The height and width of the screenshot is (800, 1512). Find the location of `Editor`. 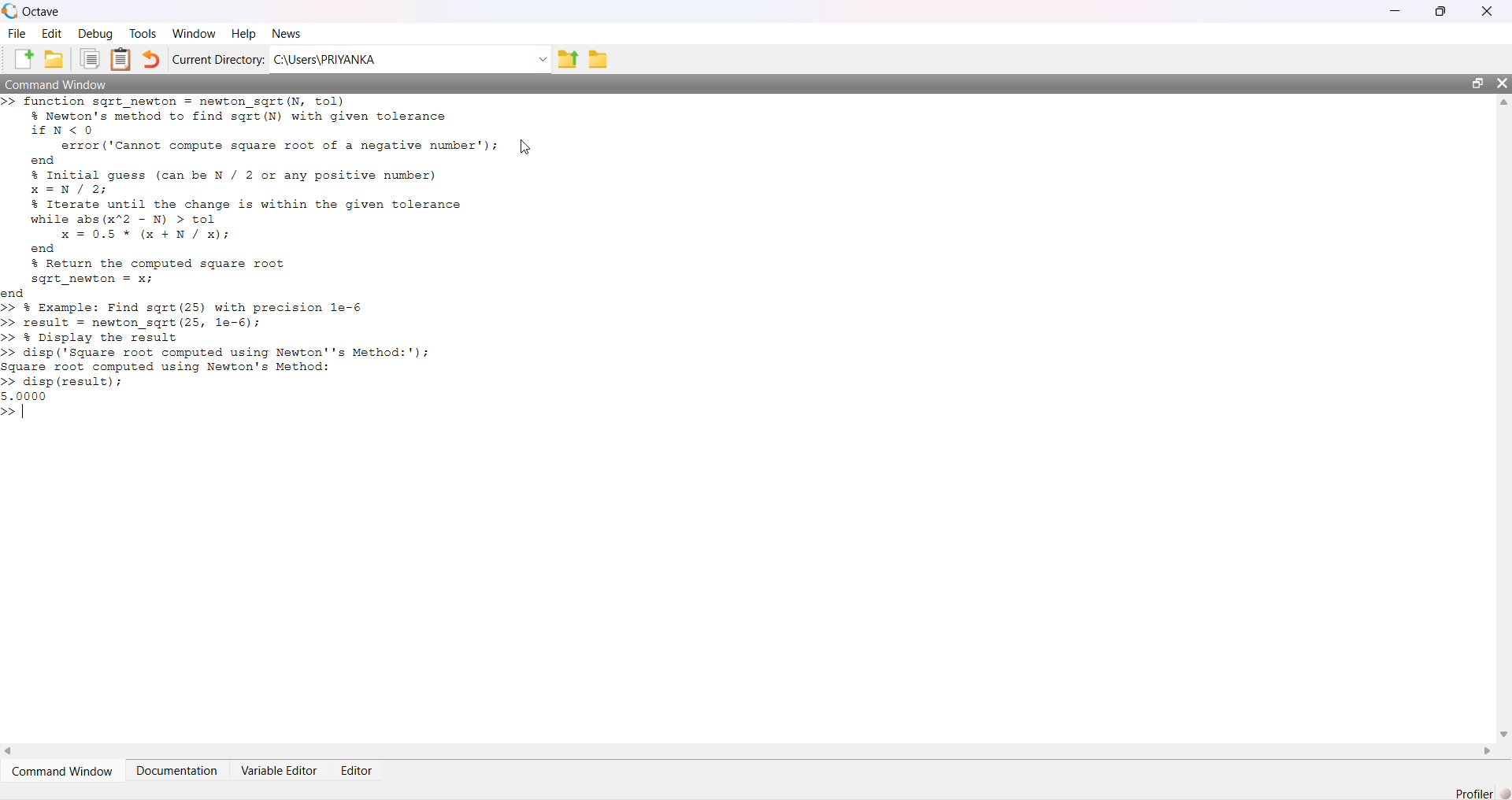

Editor is located at coordinates (354, 768).